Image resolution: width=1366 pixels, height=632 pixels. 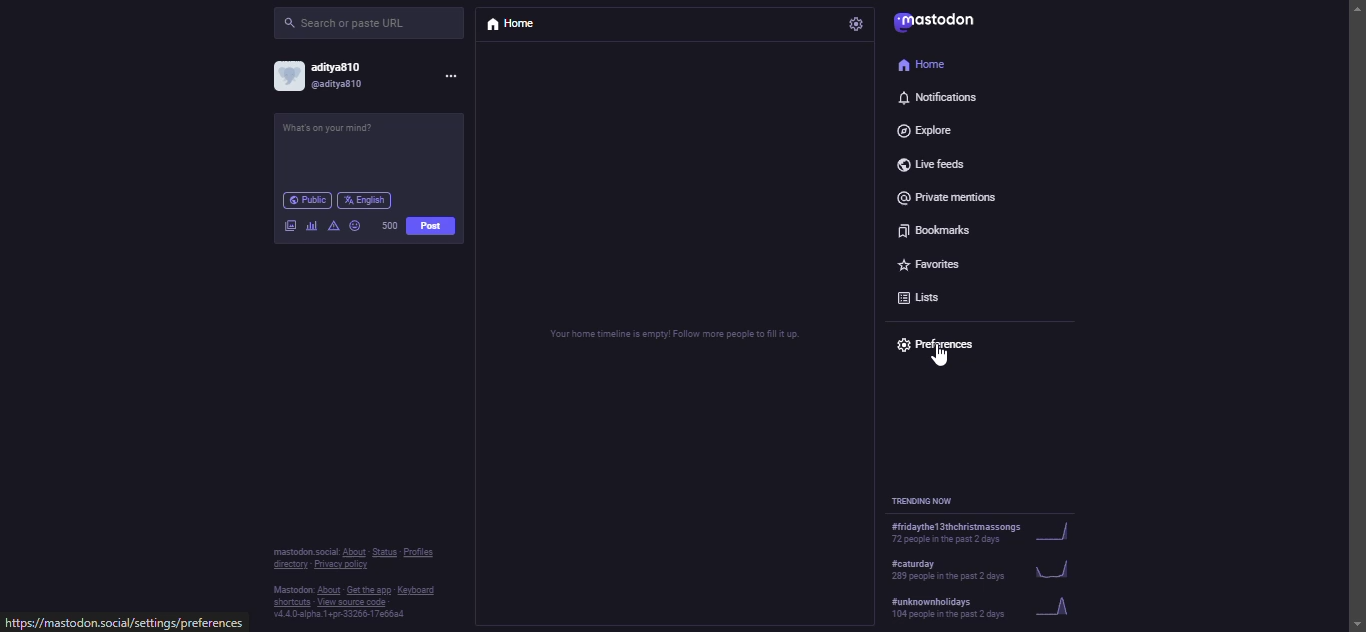 What do you see at coordinates (121, 623) in the screenshot?
I see `website` at bounding box center [121, 623].